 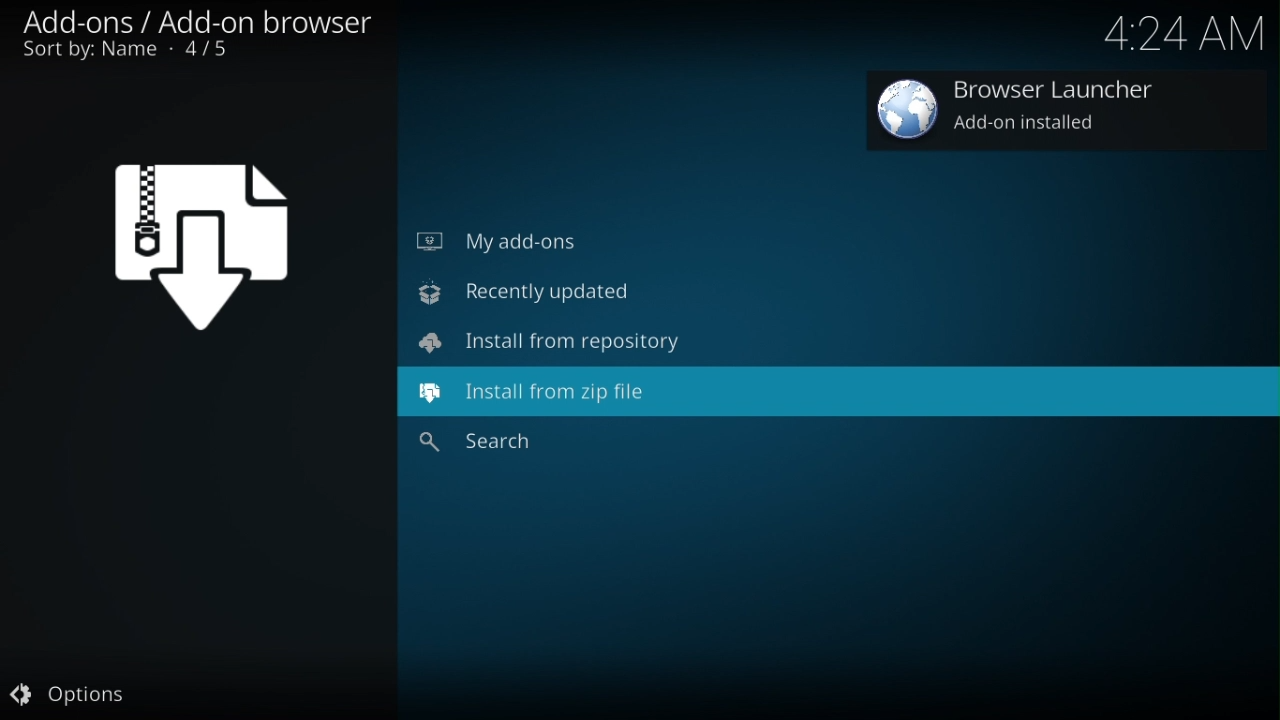 I want to click on install from repository, so click(x=559, y=345).